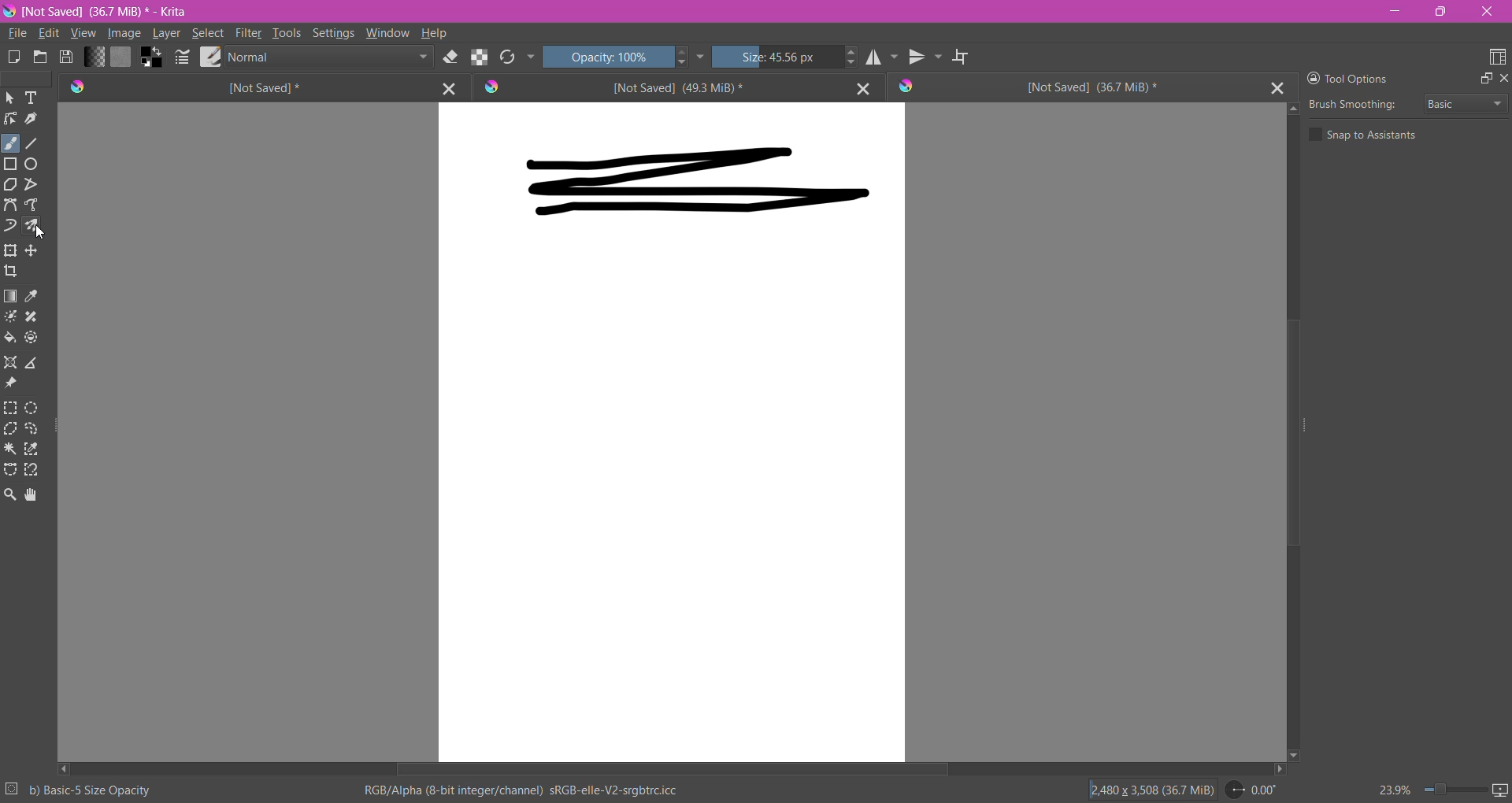  What do you see at coordinates (33, 361) in the screenshot?
I see `Measure the distance between the two points` at bounding box center [33, 361].